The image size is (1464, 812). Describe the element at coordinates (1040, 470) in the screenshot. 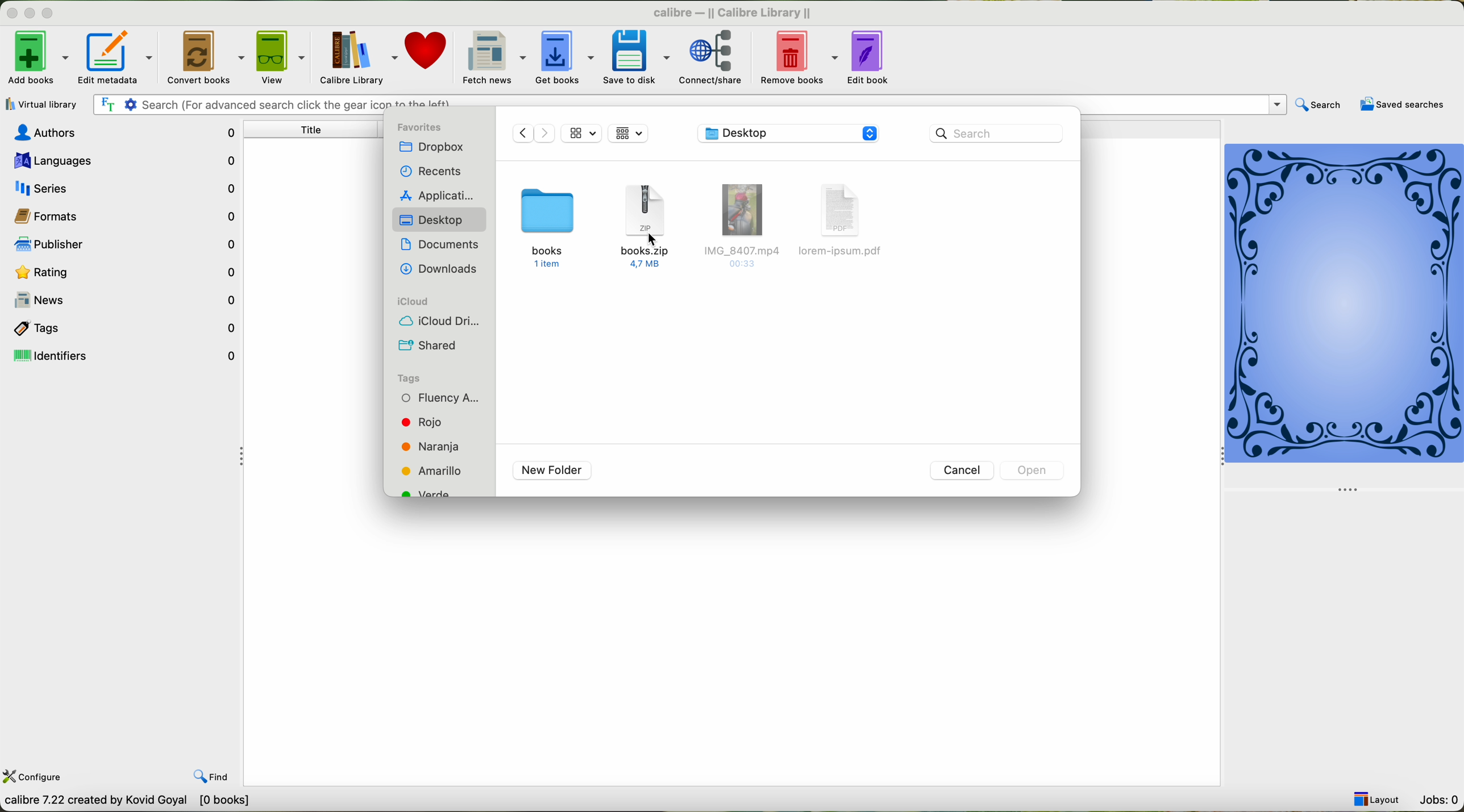

I see `disable open button` at that location.